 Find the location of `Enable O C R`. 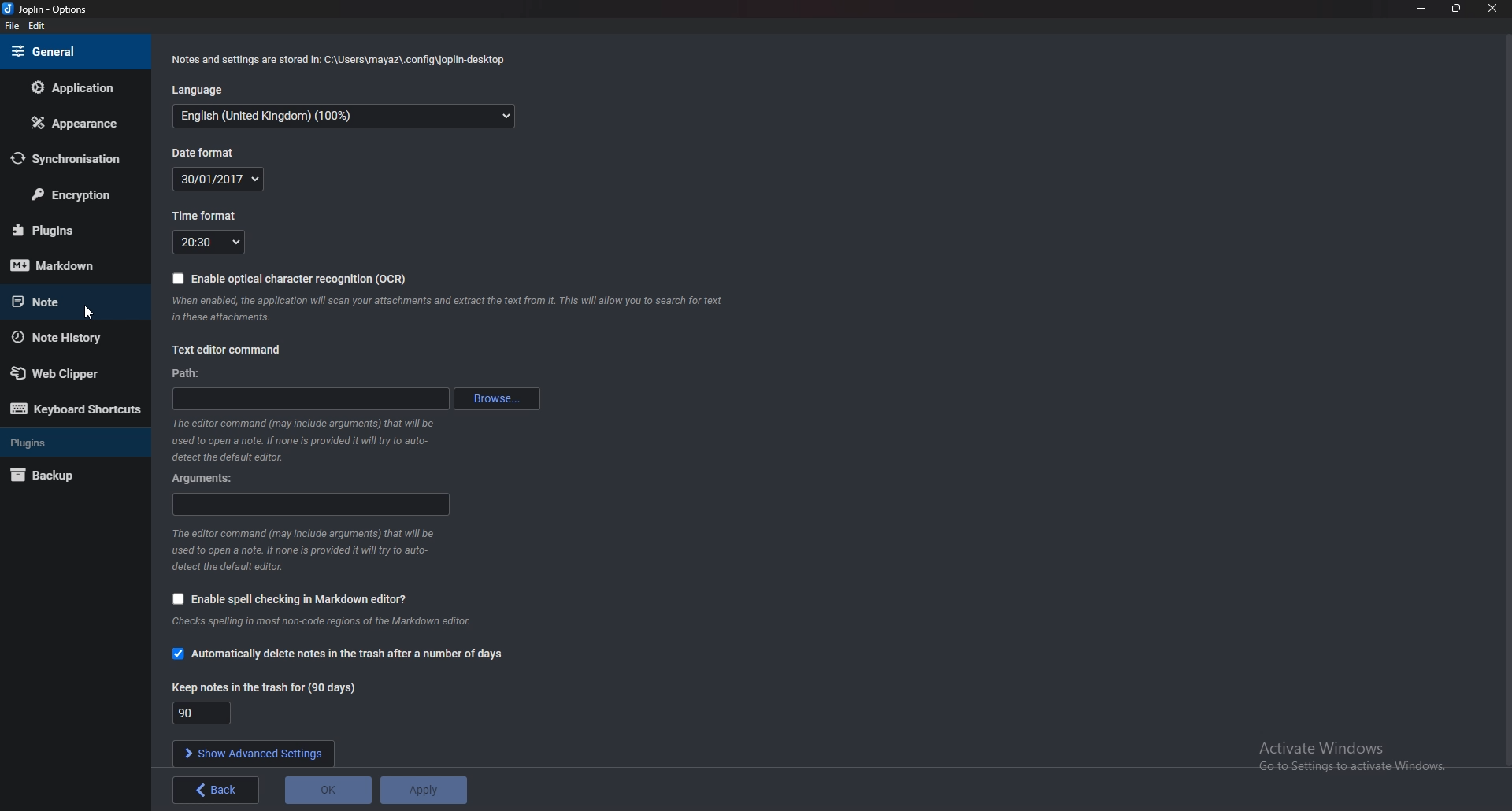

Enable O C R is located at coordinates (300, 280).